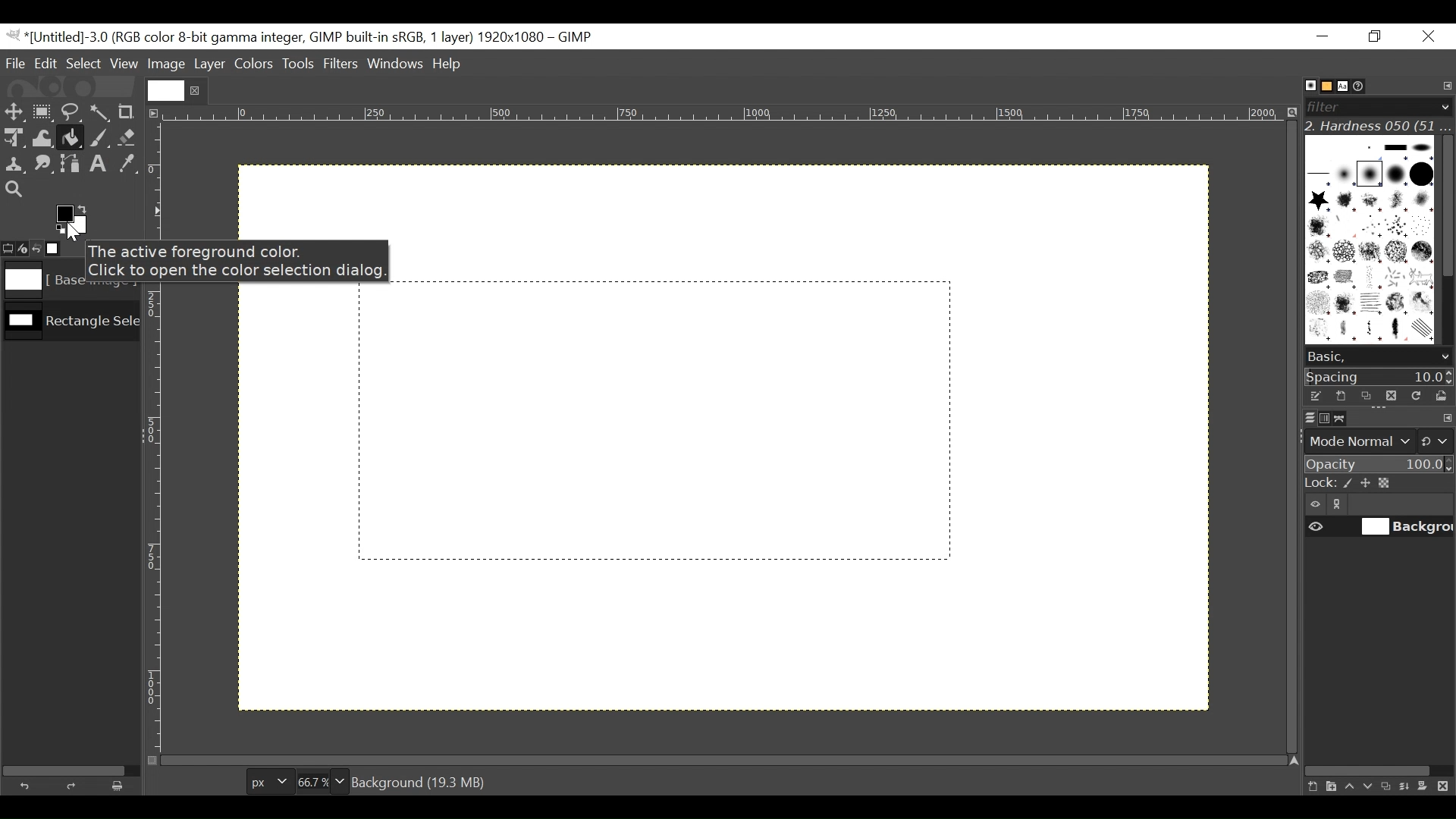 The image size is (1456, 819). What do you see at coordinates (166, 64) in the screenshot?
I see `Image` at bounding box center [166, 64].